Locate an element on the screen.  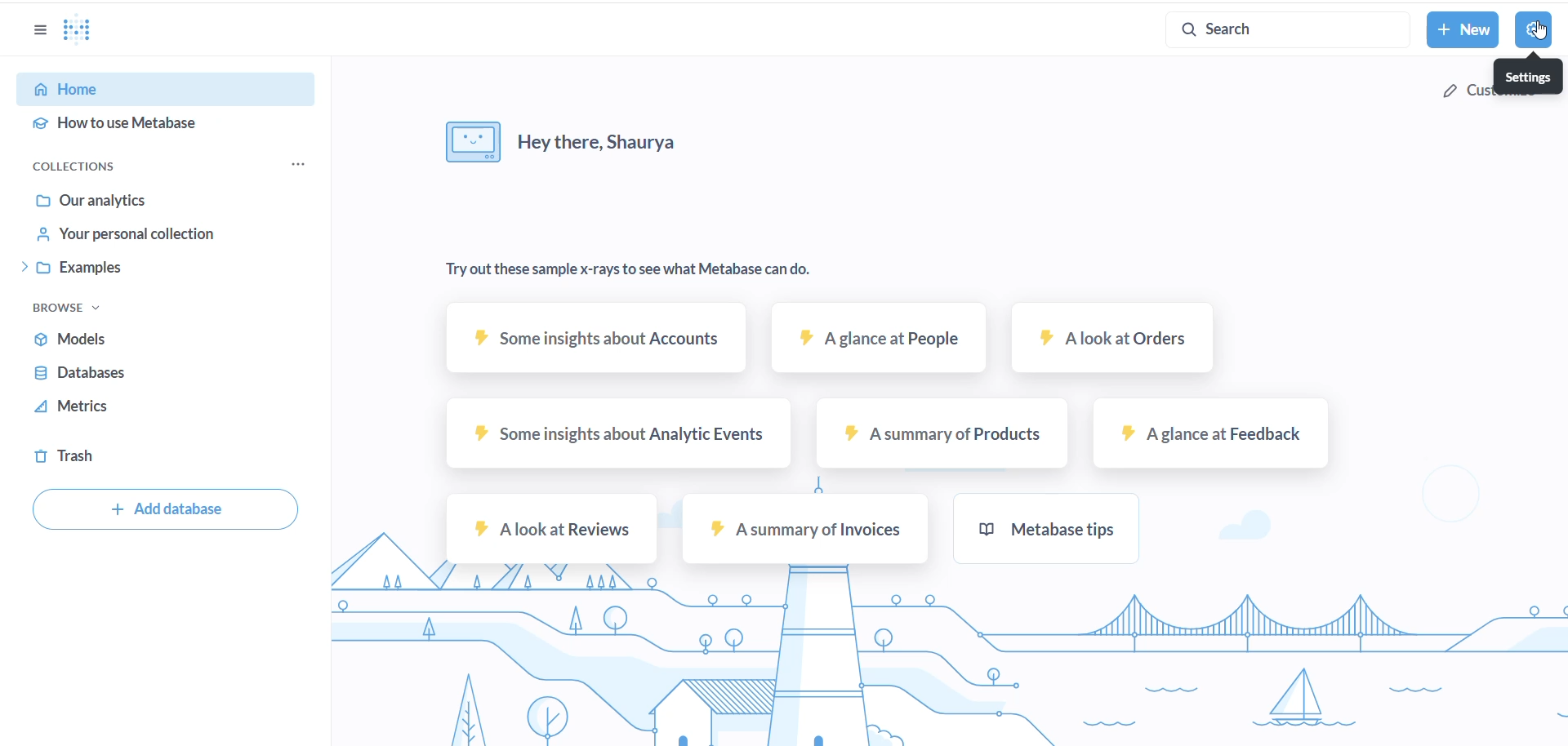
some insights about account sample is located at coordinates (597, 344).